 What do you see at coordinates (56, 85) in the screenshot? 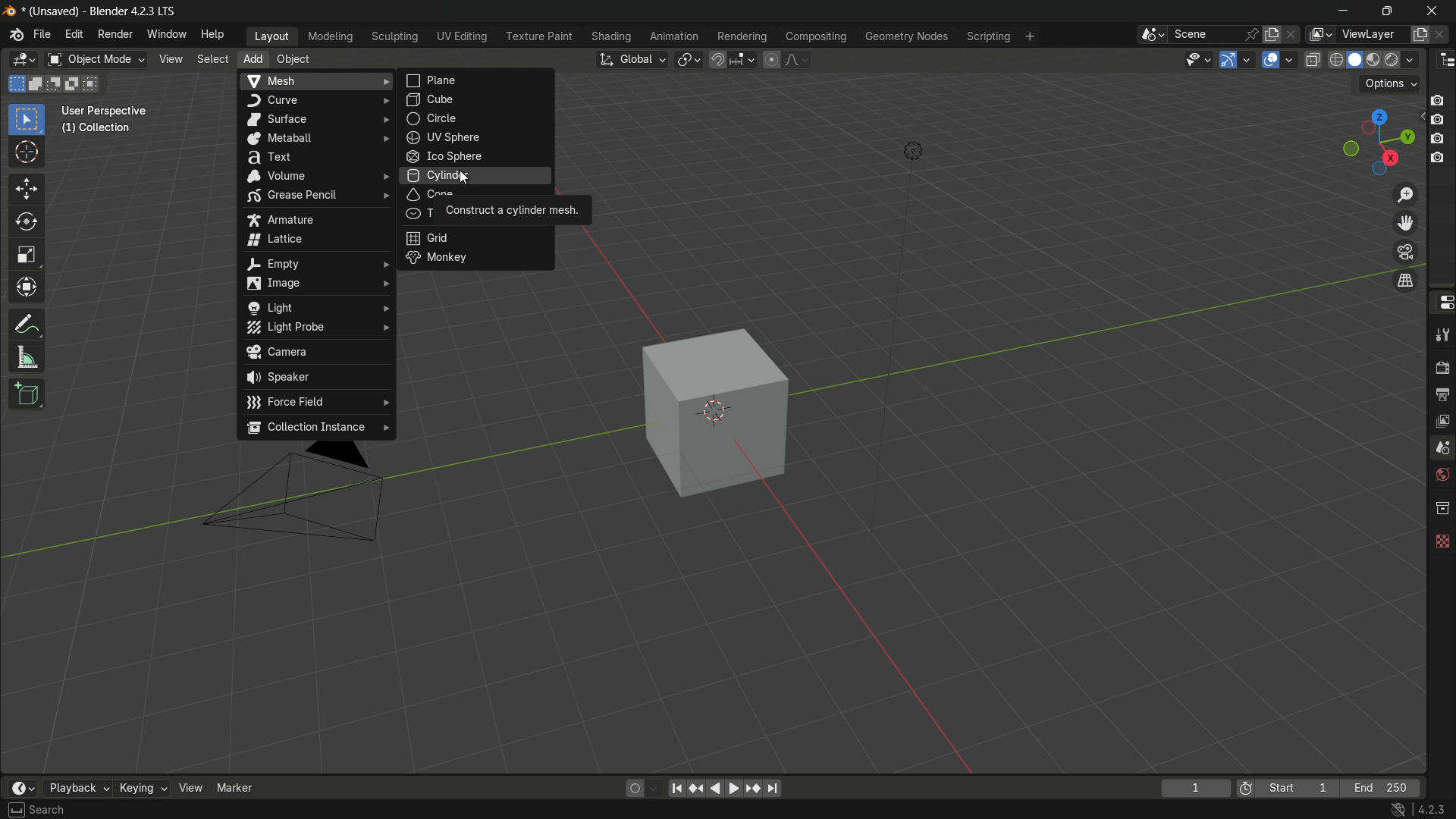
I see `subtract existing selection` at bounding box center [56, 85].